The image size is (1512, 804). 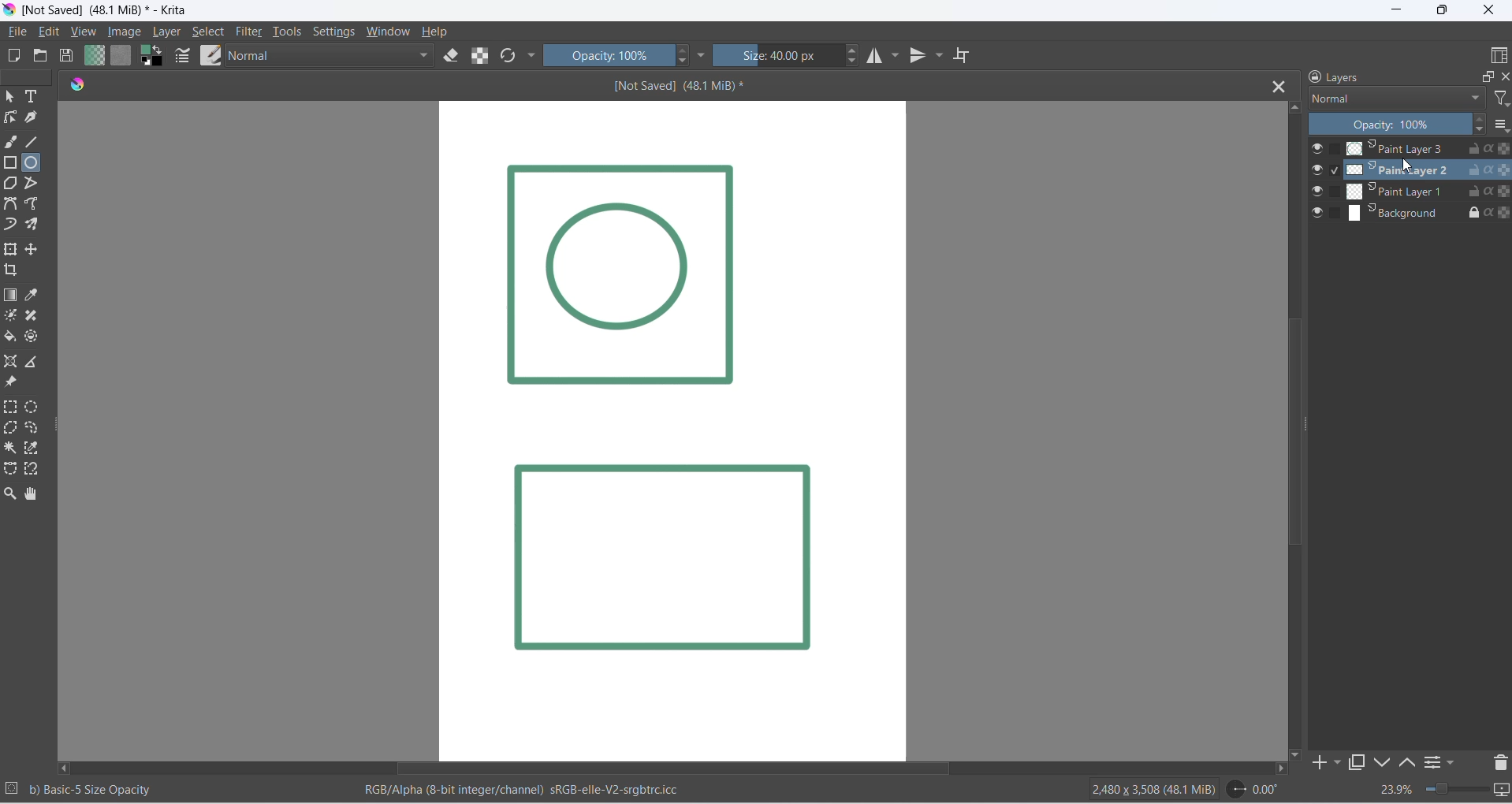 I want to click on mask tool, so click(x=11, y=316).